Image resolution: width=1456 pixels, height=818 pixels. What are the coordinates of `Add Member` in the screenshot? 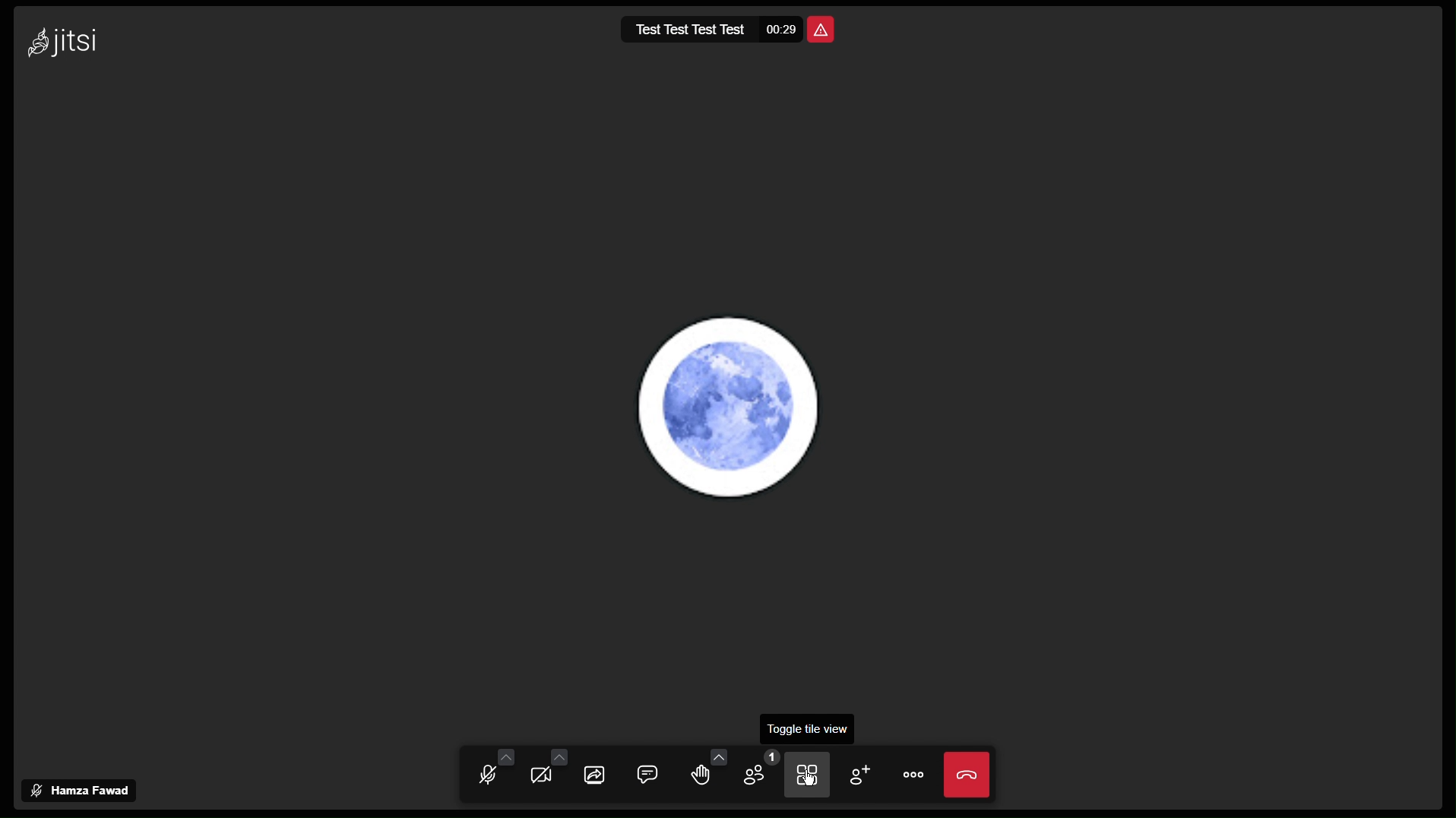 It's located at (863, 773).